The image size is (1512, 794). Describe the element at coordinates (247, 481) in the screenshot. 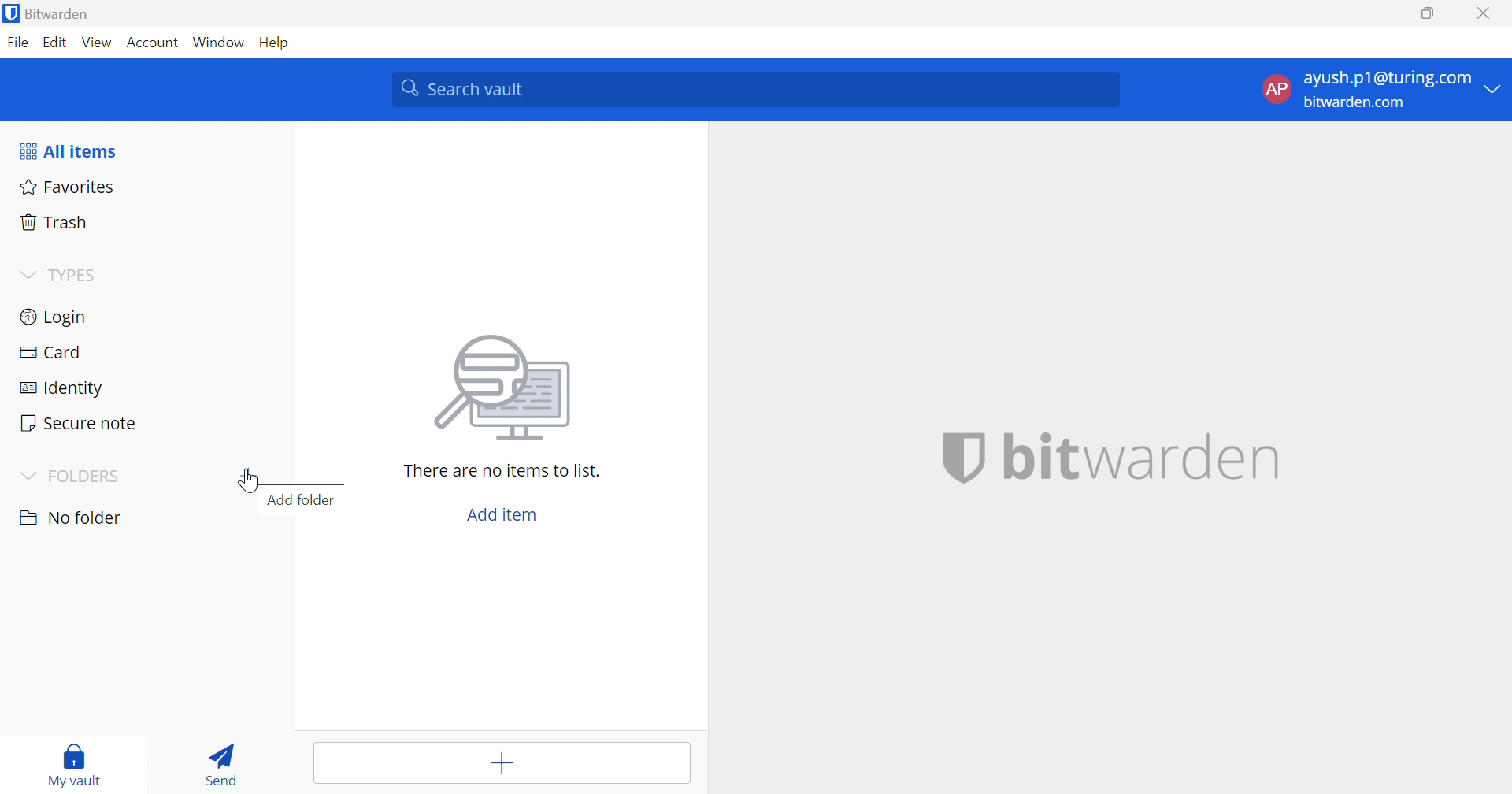

I see `Cursor` at that location.